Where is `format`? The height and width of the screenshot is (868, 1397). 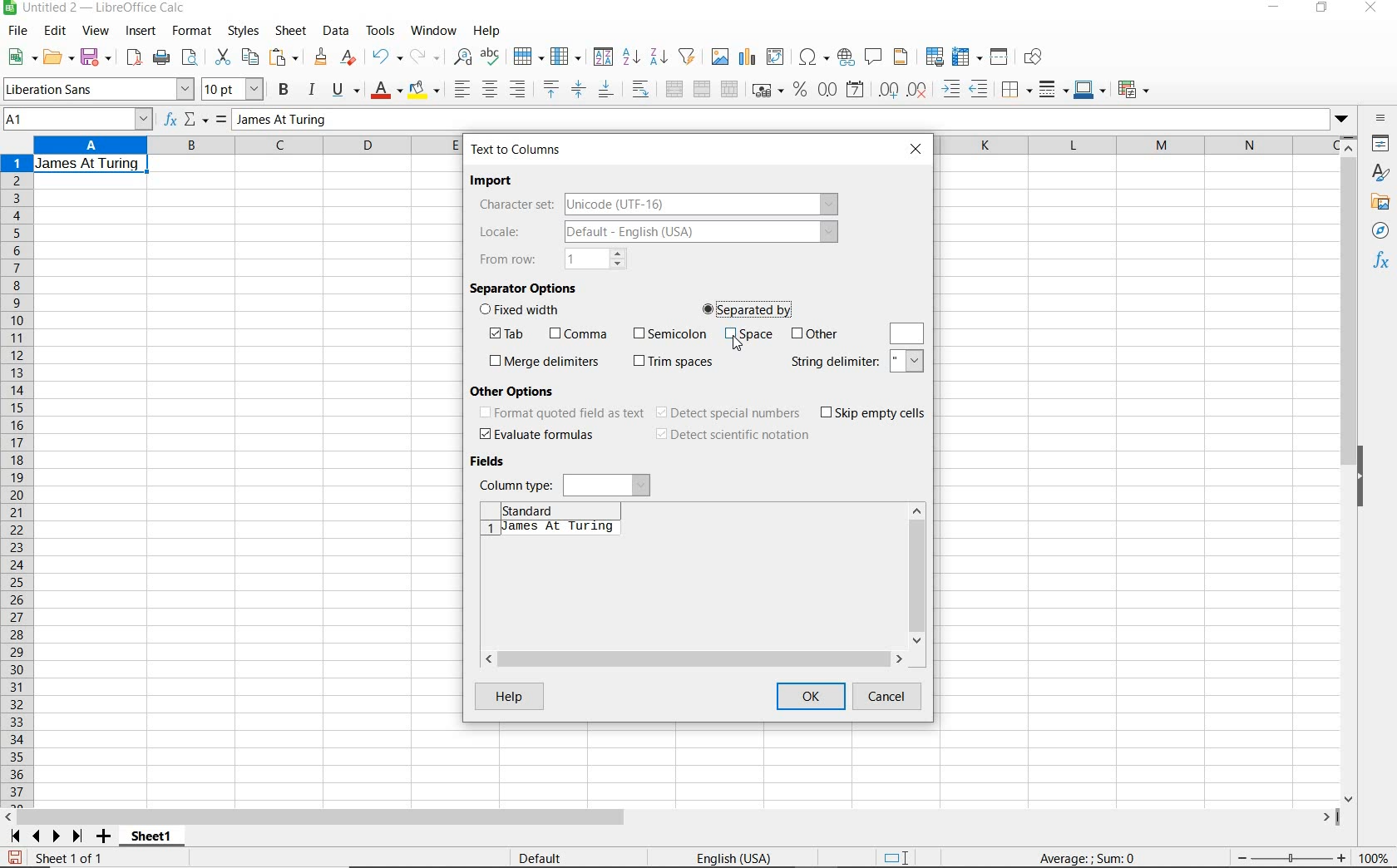 format is located at coordinates (193, 33).